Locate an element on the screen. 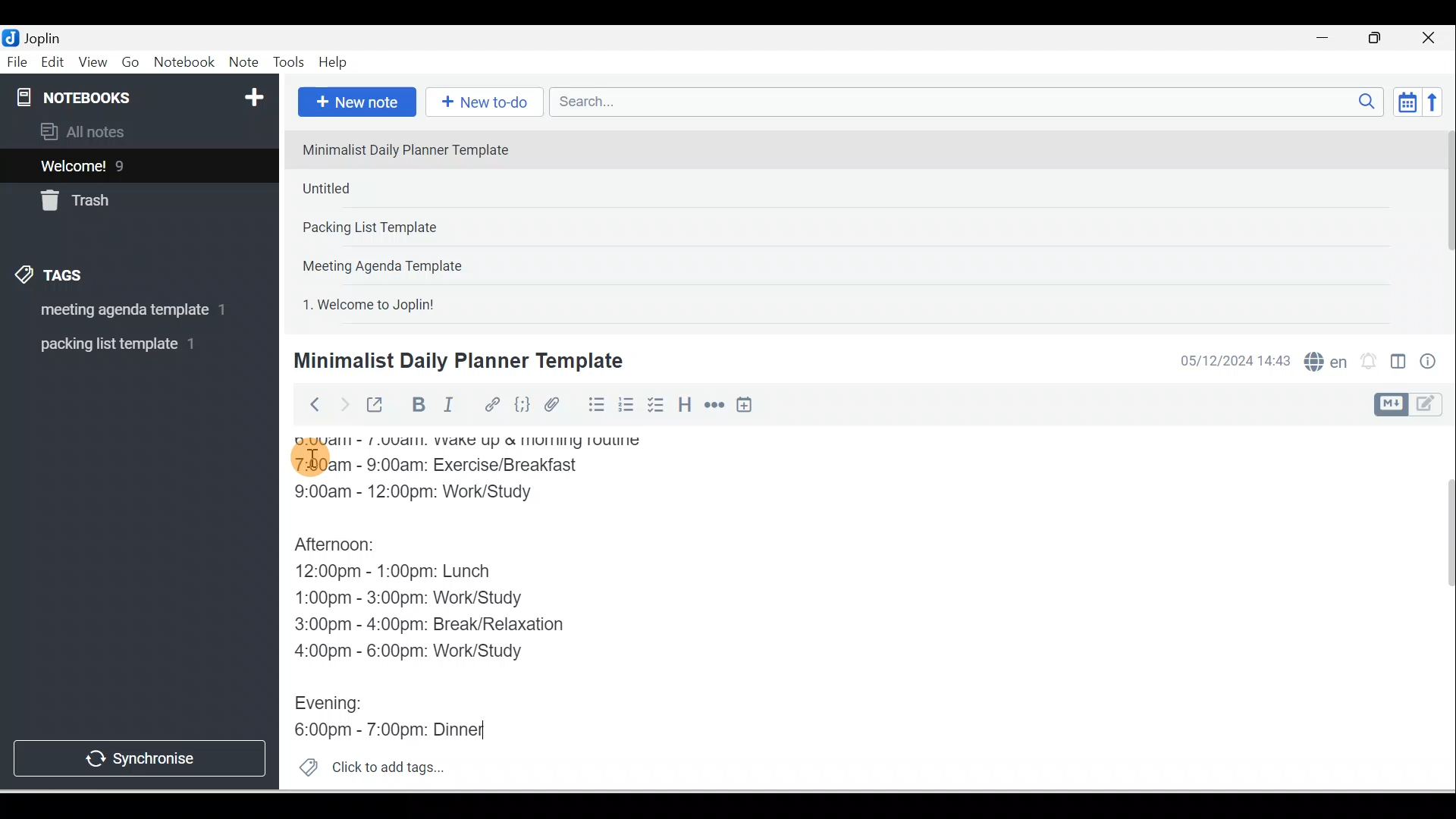 This screenshot has height=819, width=1456. Notebooks is located at coordinates (143, 94).